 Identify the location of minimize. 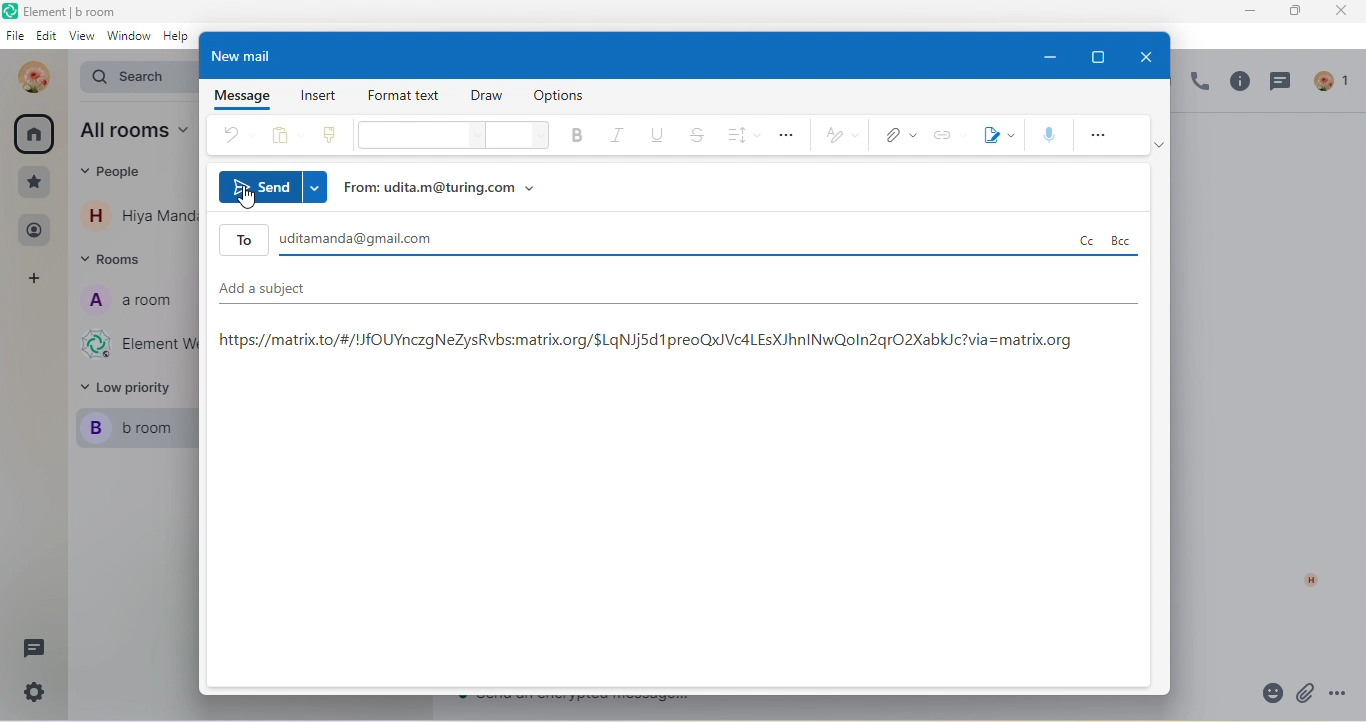
(1249, 12).